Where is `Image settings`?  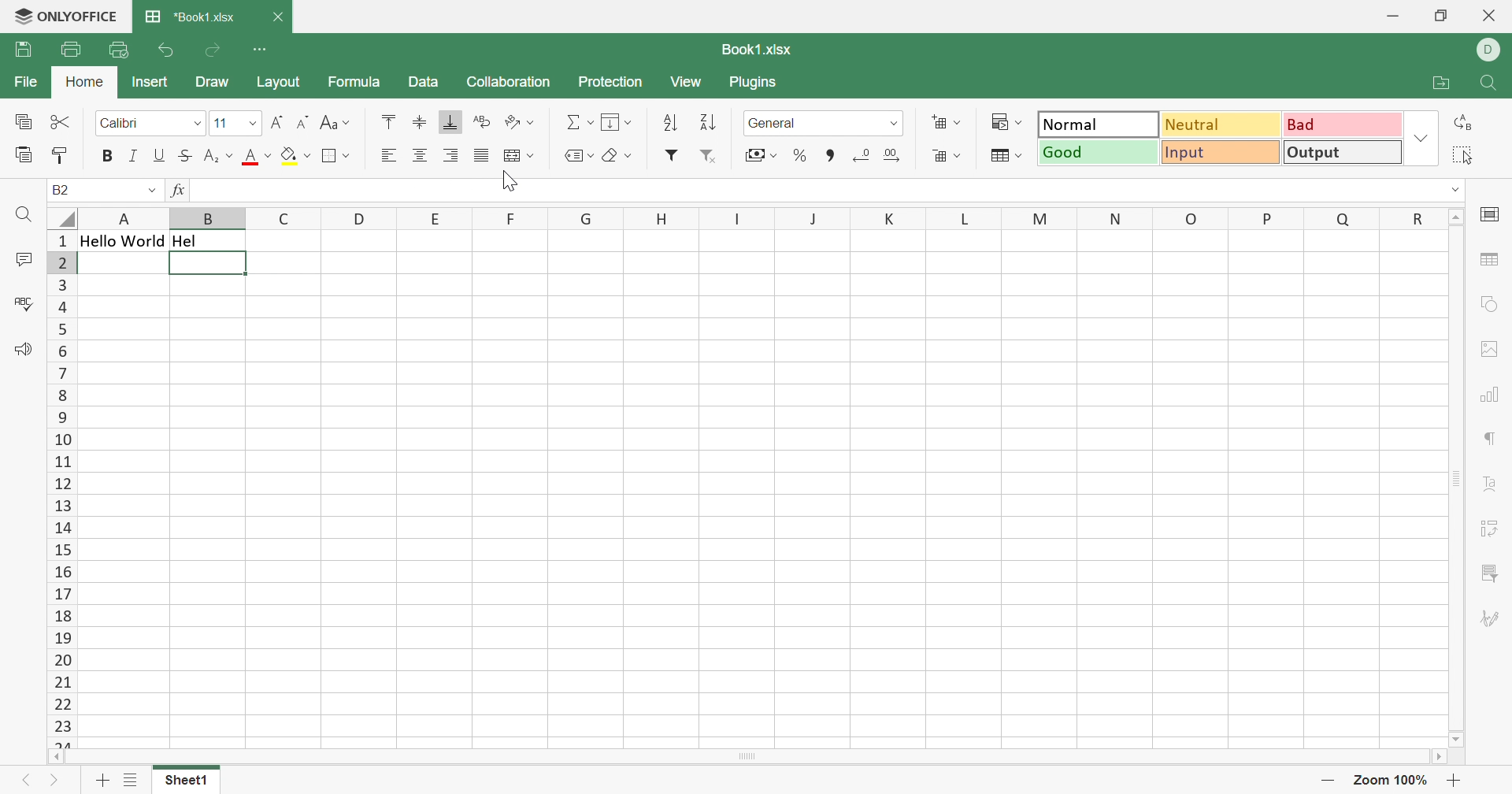 Image settings is located at coordinates (1494, 348).